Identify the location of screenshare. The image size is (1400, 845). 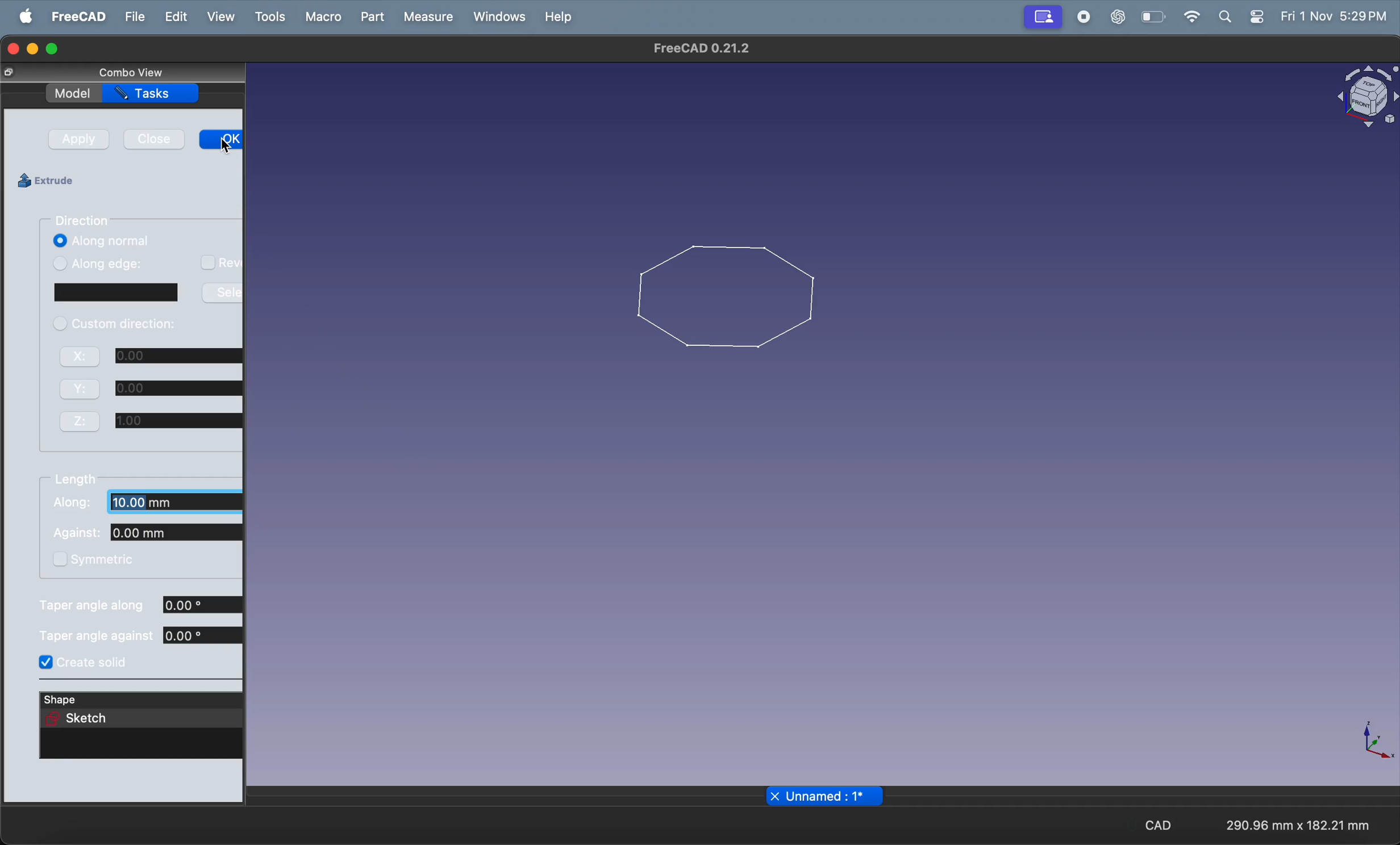
(1045, 17).